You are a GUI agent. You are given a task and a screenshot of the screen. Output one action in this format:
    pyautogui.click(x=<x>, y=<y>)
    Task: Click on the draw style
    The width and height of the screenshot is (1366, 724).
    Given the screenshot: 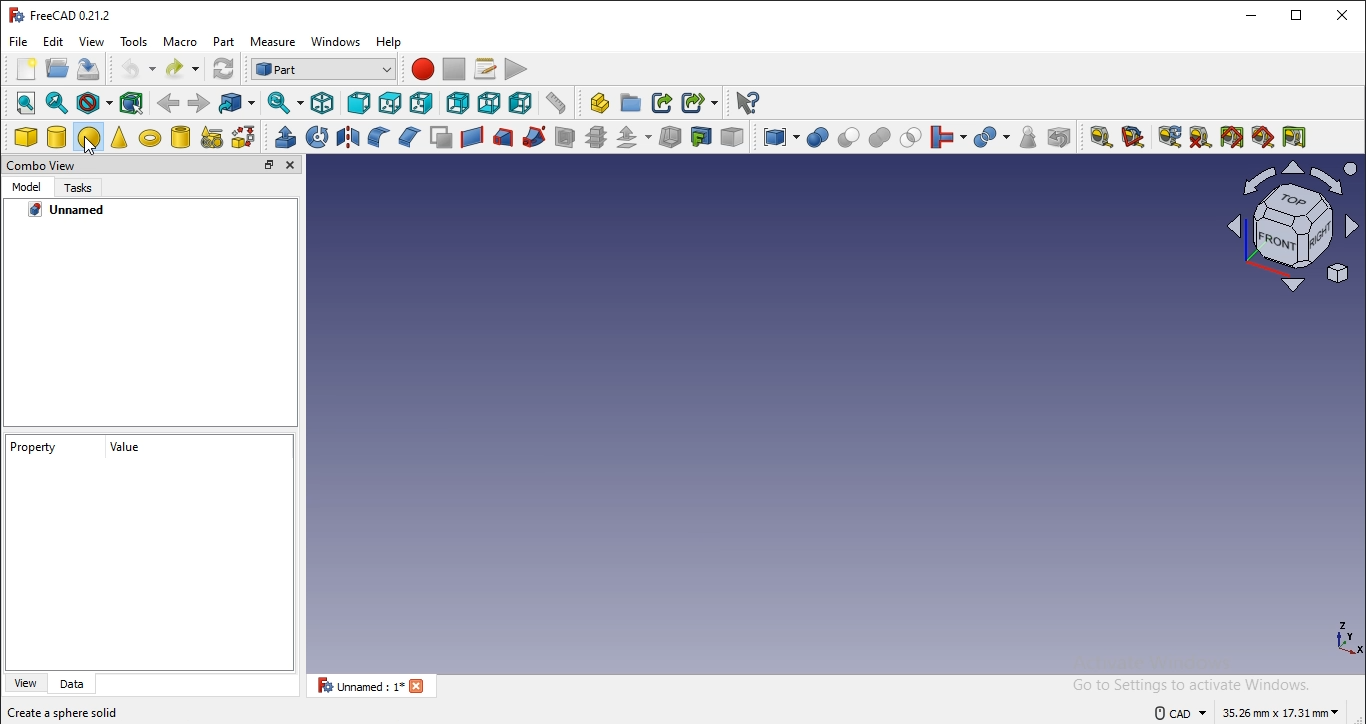 What is the action you would take?
    pyautogui.click(x=90, y=103)
    